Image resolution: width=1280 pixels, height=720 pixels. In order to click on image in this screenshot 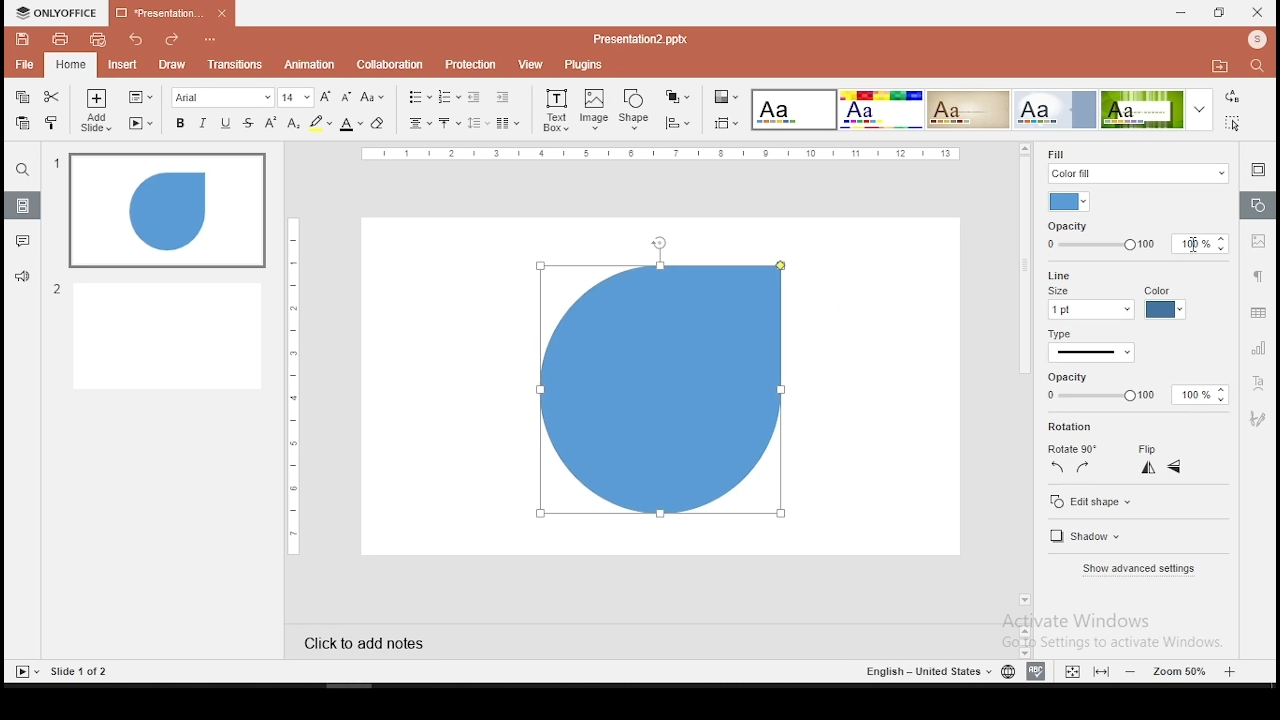, I will do `click(595, 110)`.